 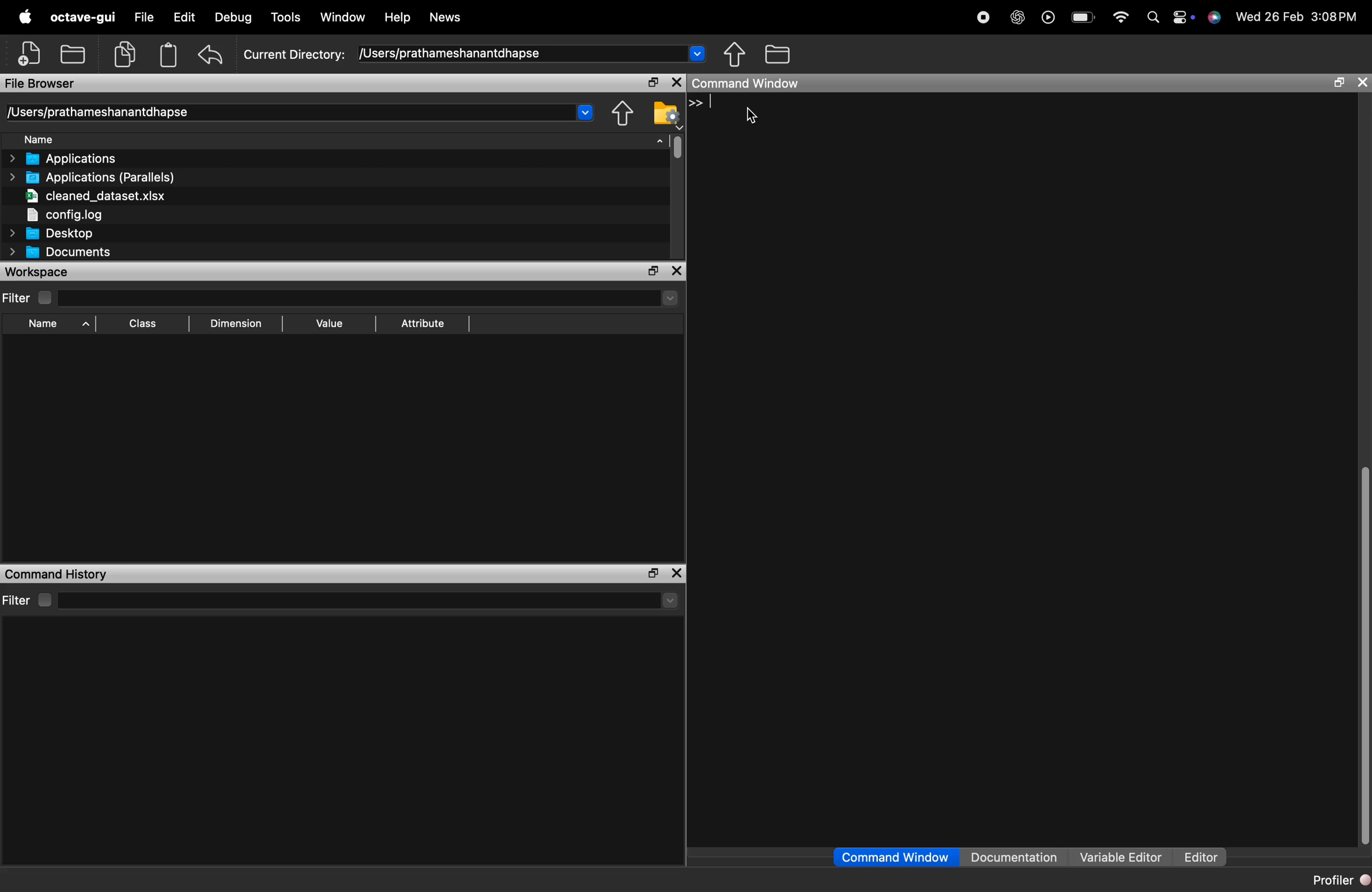 What do you see at coordinates (1284, 16) in the screenshot?
I see `26 Feb` at bounding box center [1284, 16].